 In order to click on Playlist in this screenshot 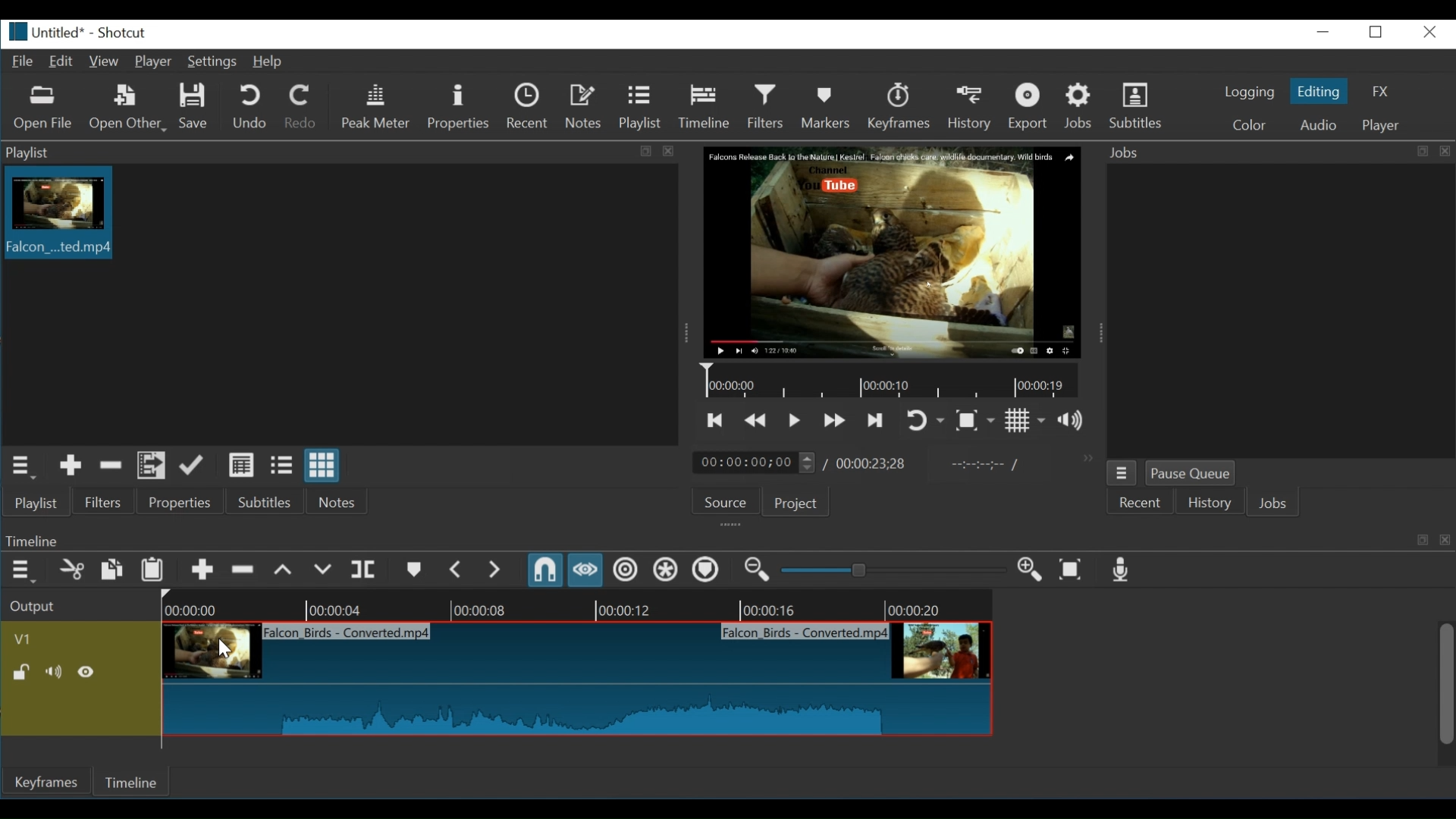, I will do `click(639, 106)`.